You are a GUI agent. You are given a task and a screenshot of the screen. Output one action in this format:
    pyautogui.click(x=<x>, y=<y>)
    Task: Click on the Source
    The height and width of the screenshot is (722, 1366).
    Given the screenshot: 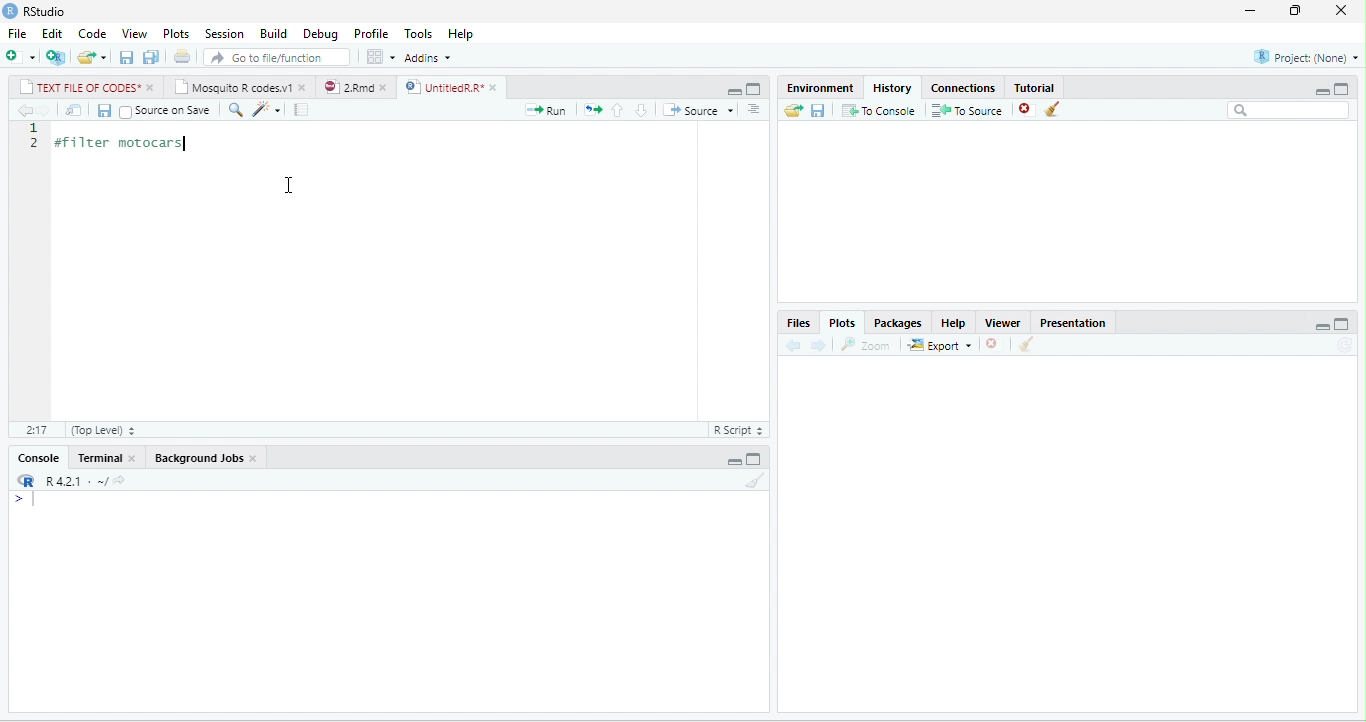 What is the action you would take?
    pyautogui.click(x=699, y=109)
    